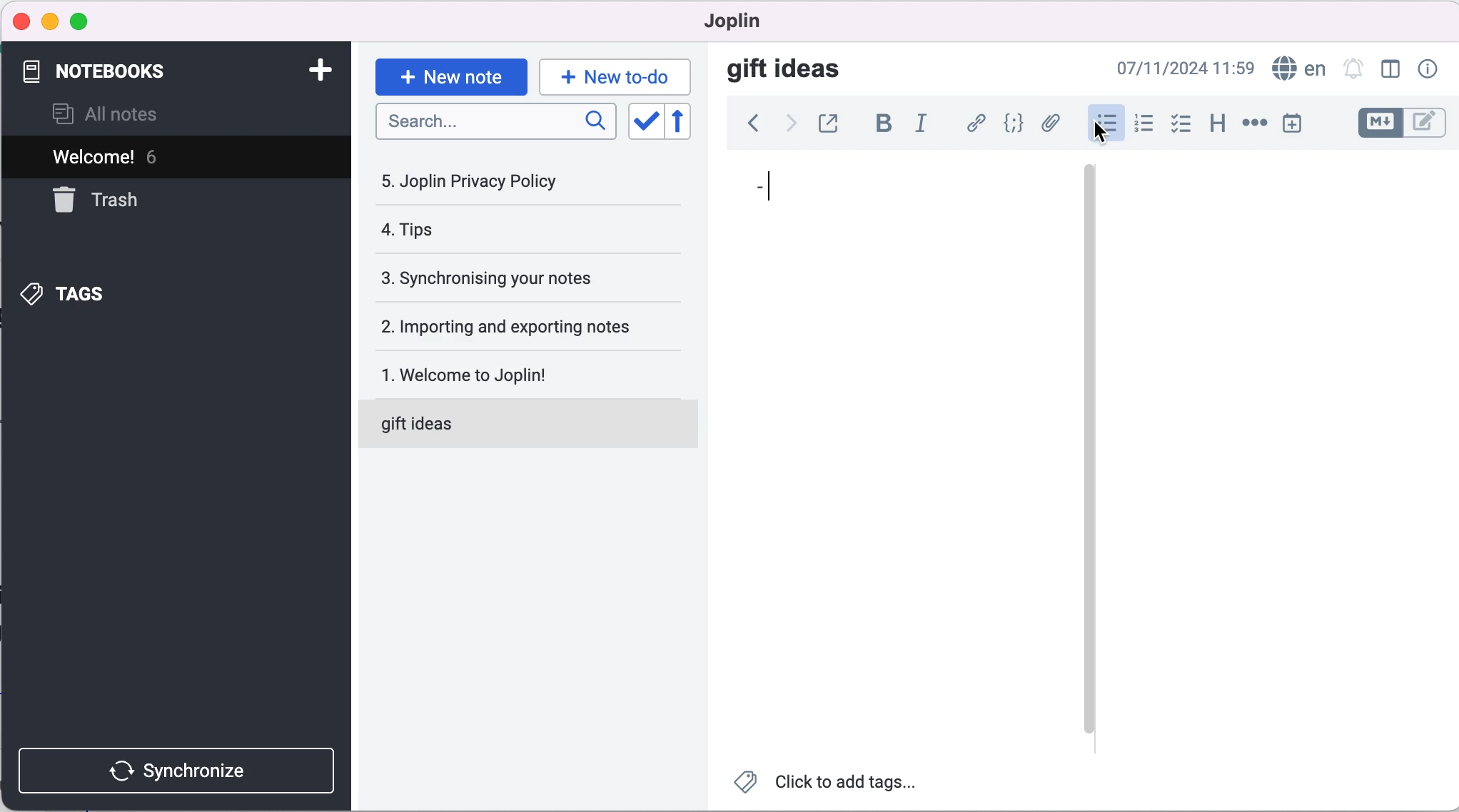 The width and height of the screenshot is (1459, 812). I want to click on minimize, so click(50, 19).